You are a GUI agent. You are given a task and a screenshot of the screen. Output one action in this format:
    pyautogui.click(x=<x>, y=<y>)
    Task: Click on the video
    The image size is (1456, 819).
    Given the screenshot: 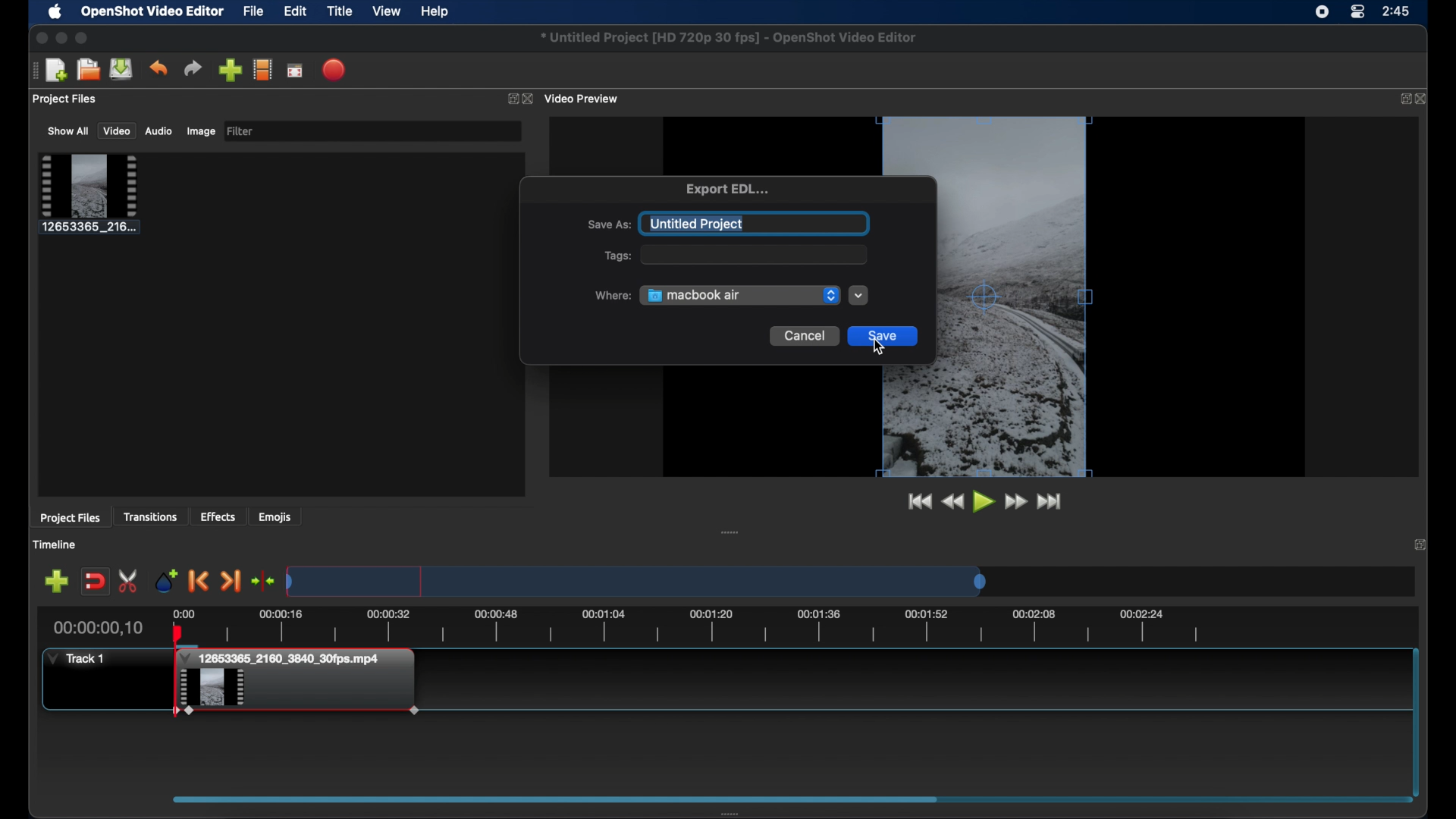 What is the action you would take?
    pyautogui.click(x=117, y=131)
    